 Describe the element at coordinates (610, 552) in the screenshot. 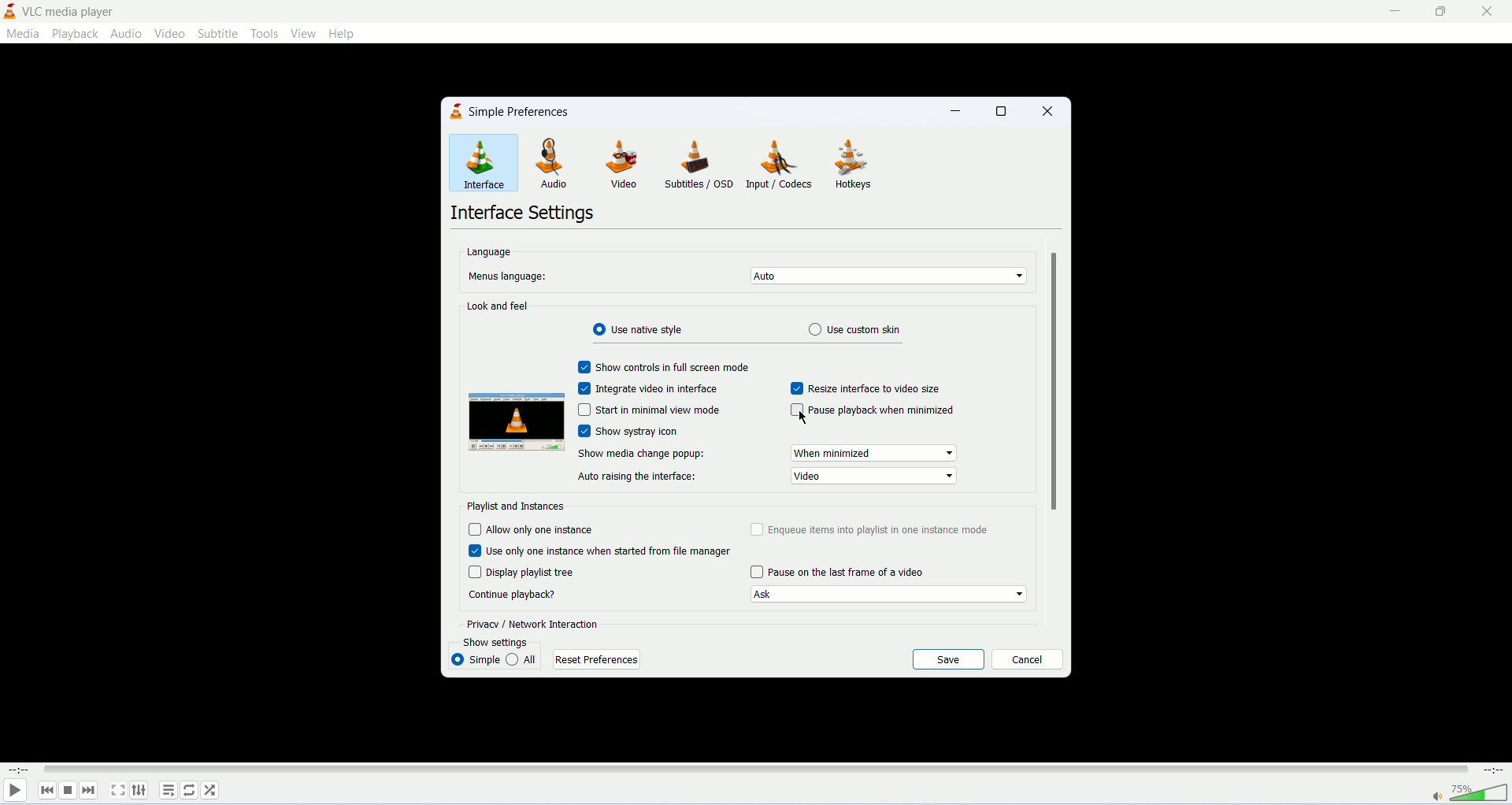

I see `use only one instance when started from file manager` at that location.